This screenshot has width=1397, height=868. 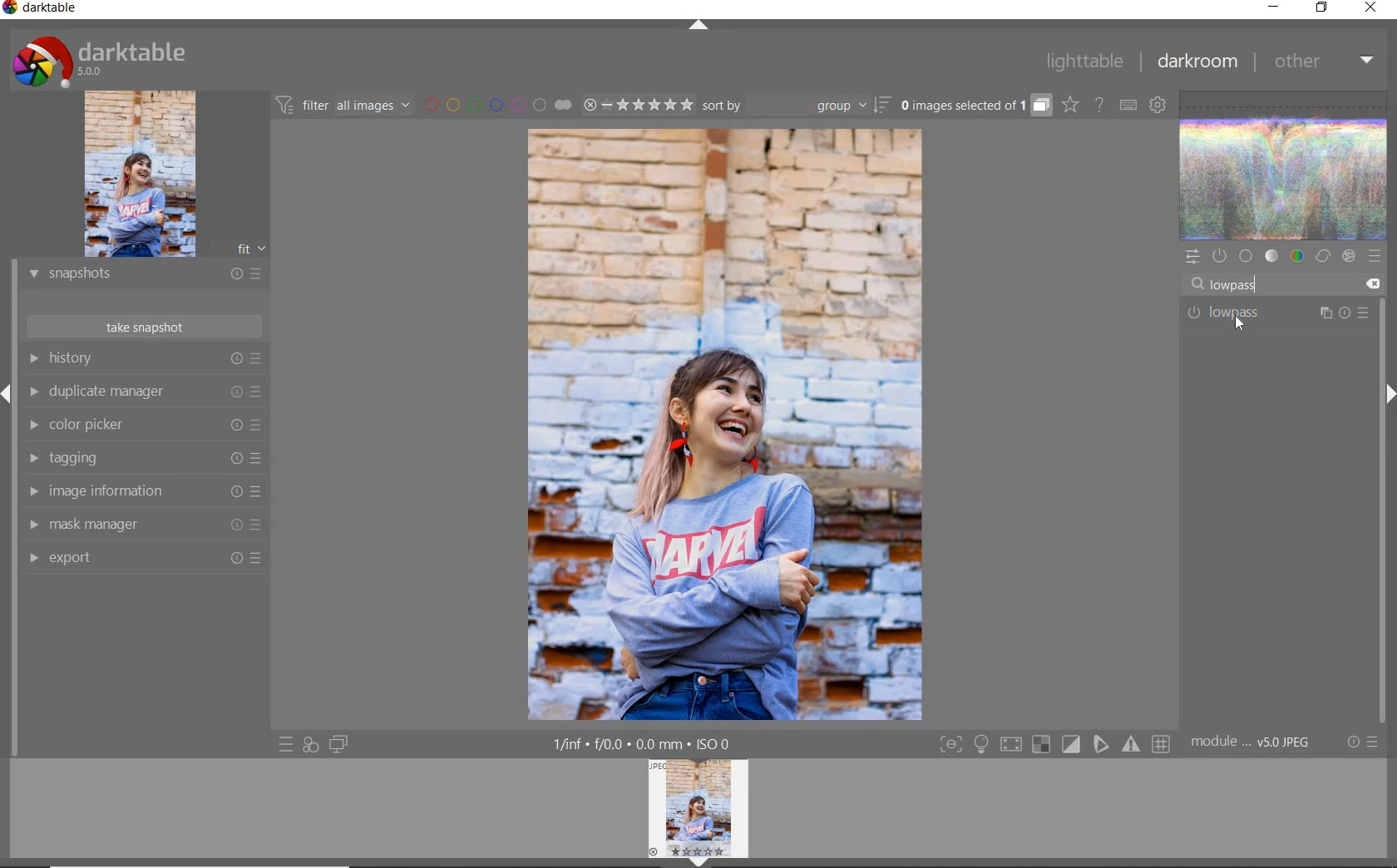 I want to click on lighttable, so click(x=1082, y=64).